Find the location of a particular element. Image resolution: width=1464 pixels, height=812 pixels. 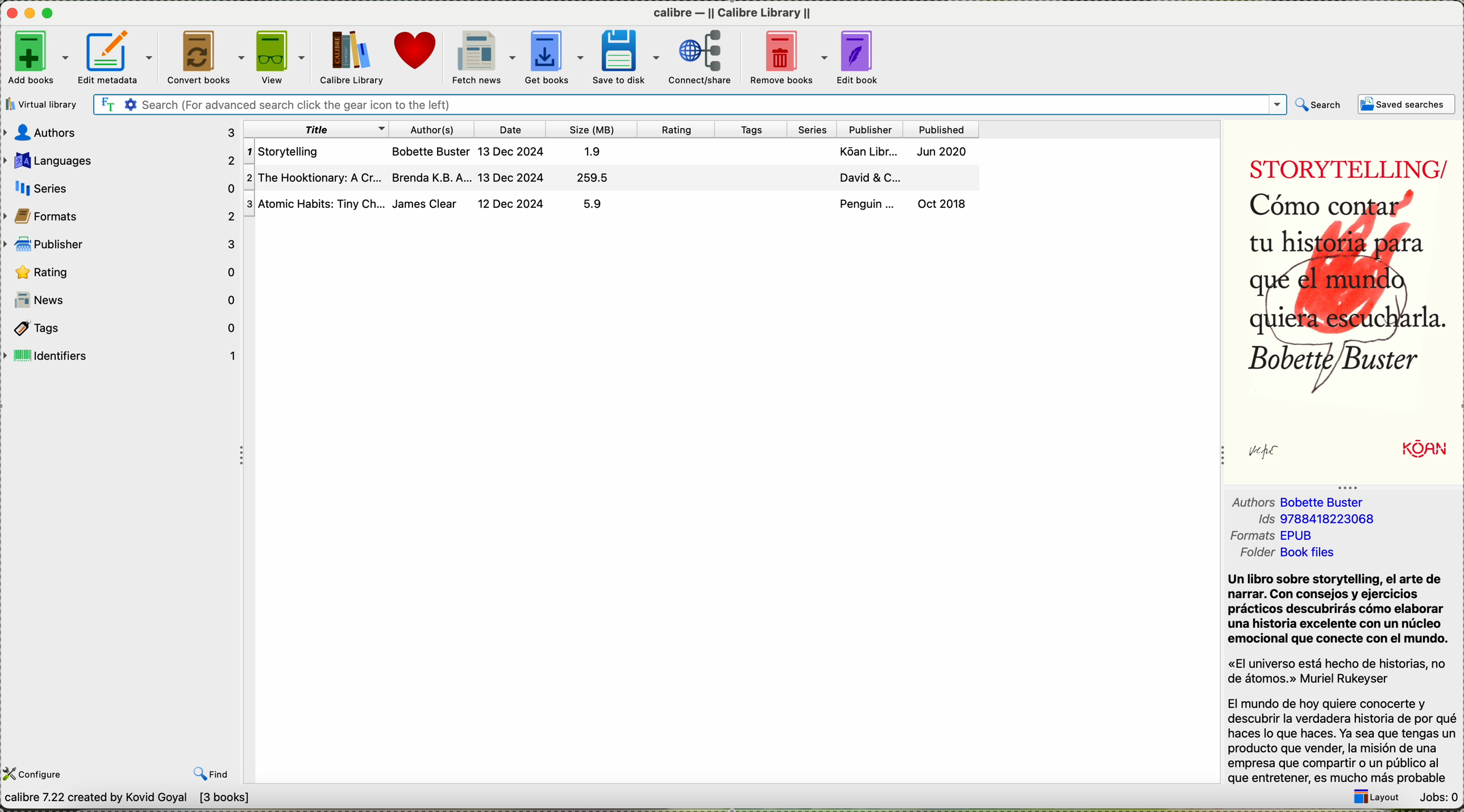

minimize is located at coordinates (32, 14).